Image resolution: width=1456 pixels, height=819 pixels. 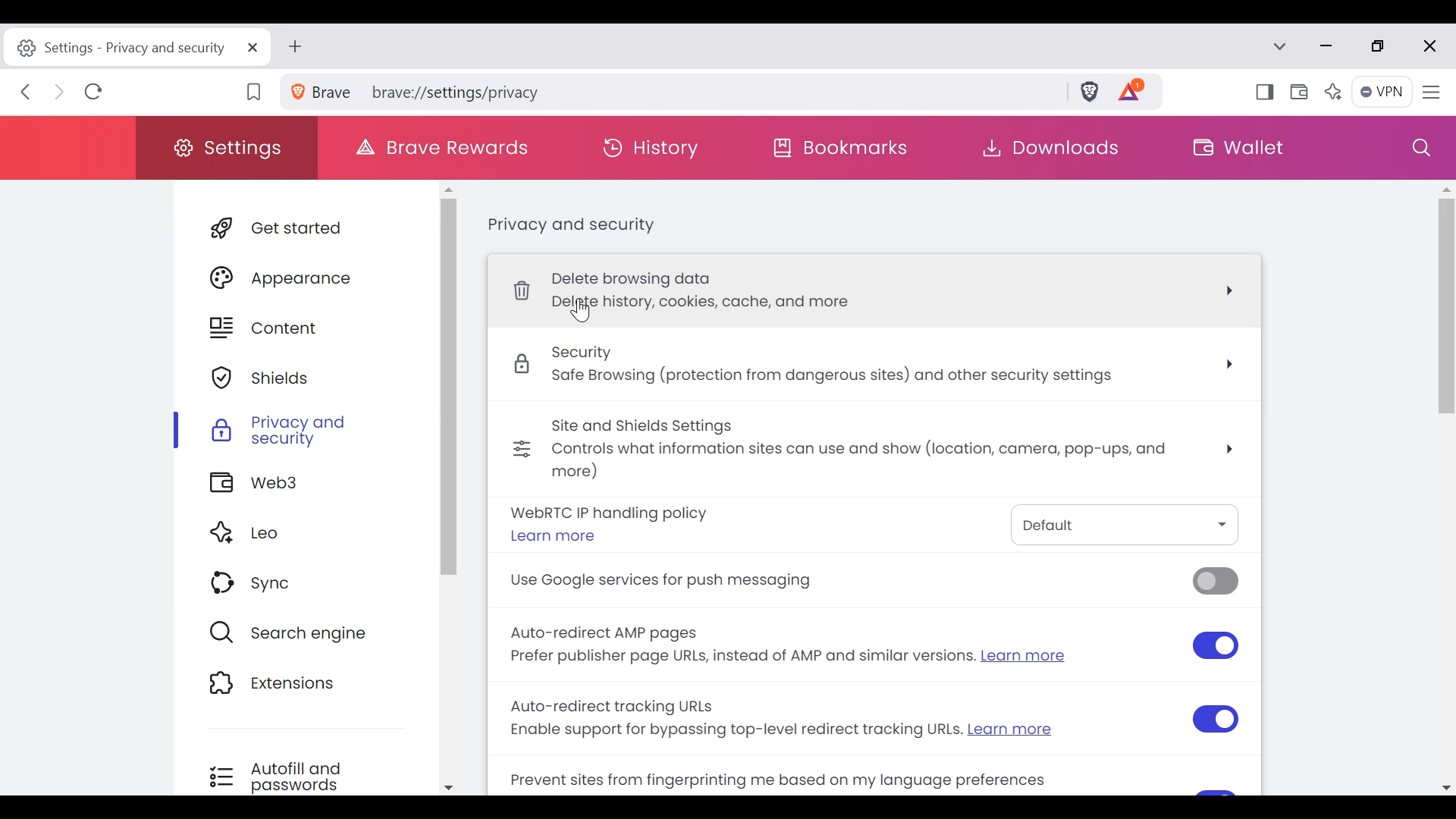 I want to click on Bookmarks, so click(x=849, y=151).